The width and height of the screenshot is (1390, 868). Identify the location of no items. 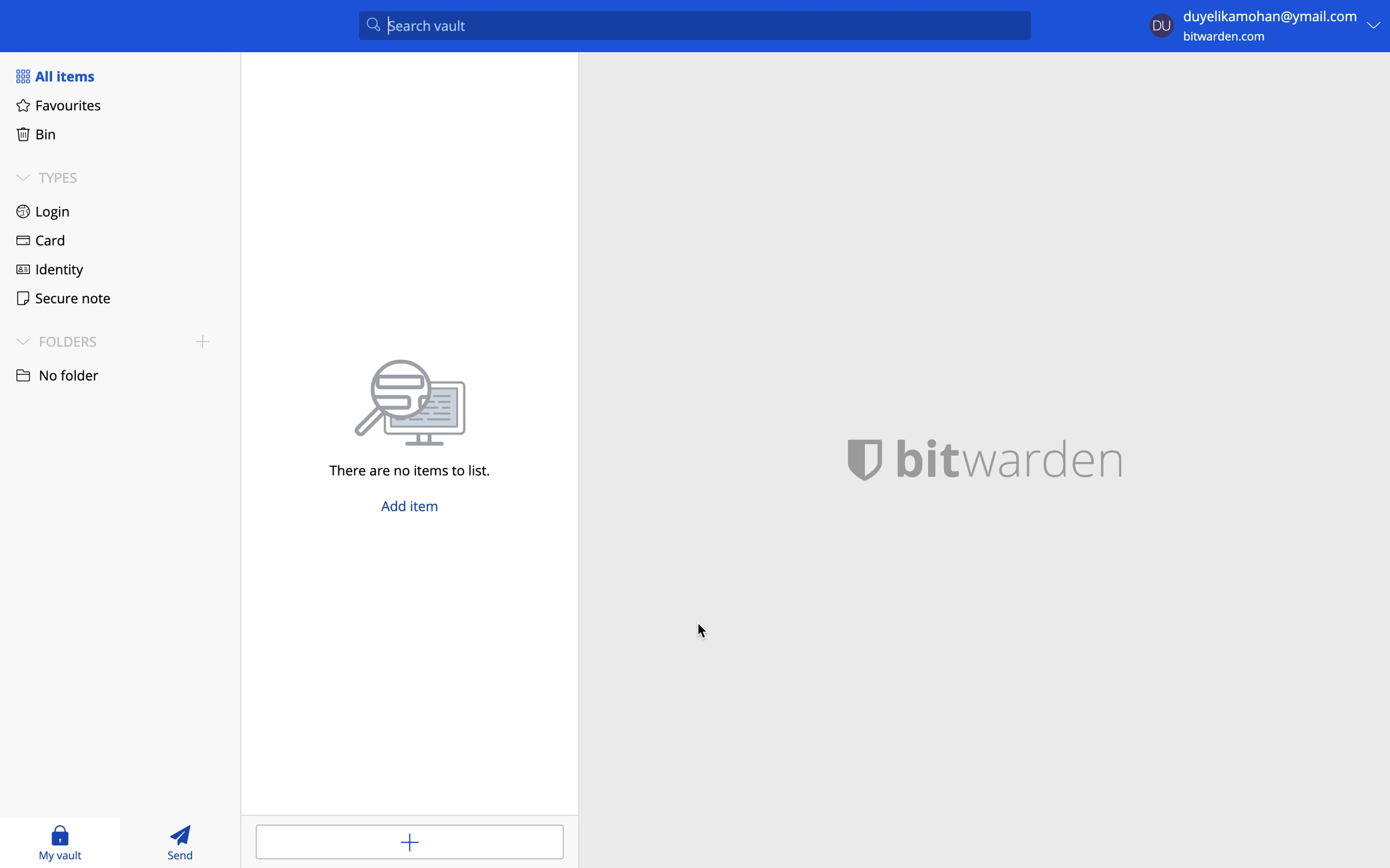
(413, 419).